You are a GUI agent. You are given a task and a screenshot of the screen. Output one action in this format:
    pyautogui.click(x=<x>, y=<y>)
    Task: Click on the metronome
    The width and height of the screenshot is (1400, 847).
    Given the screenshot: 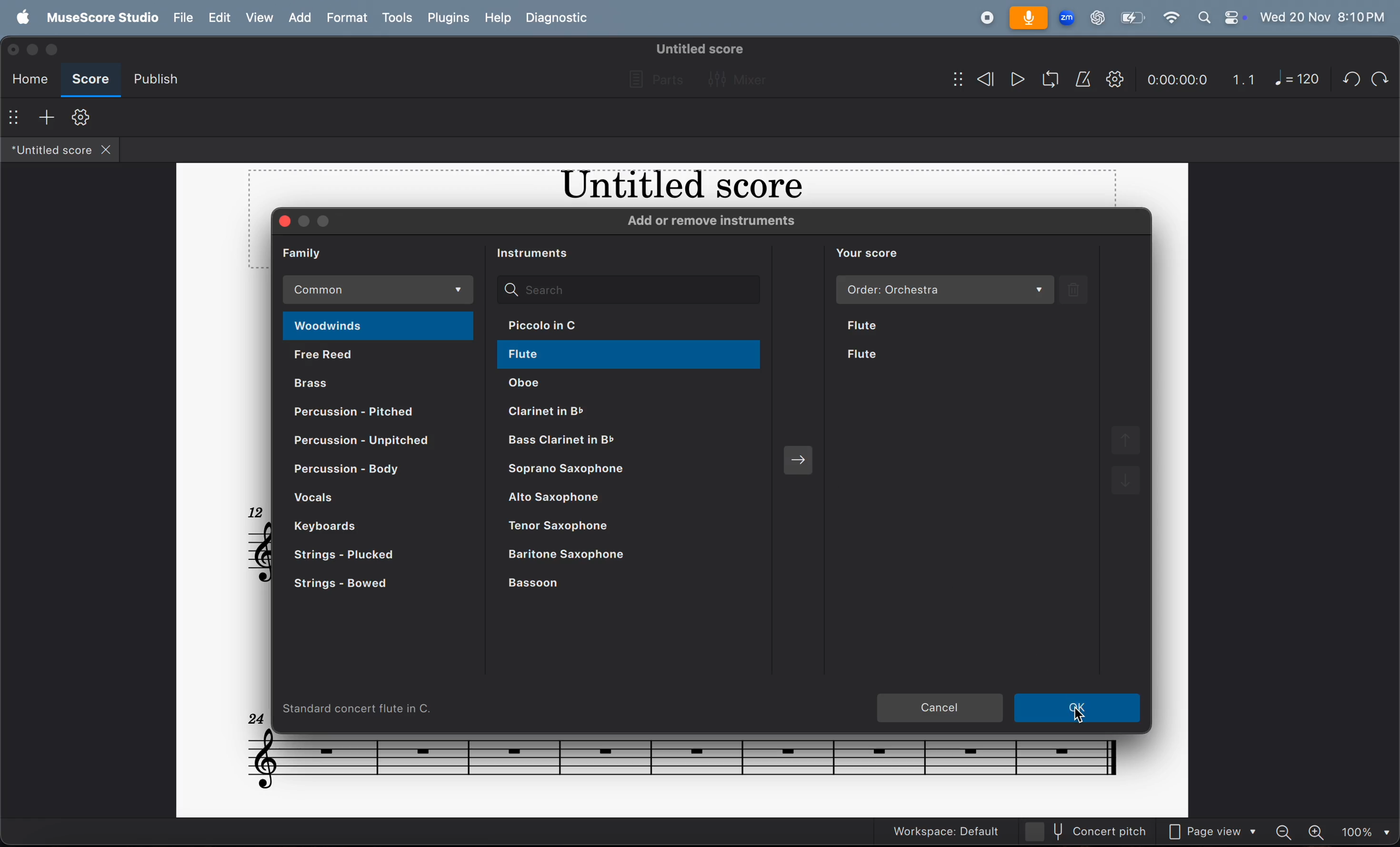 What is the action you would take?
    pyautogui.click(x=1084, y=80)
    